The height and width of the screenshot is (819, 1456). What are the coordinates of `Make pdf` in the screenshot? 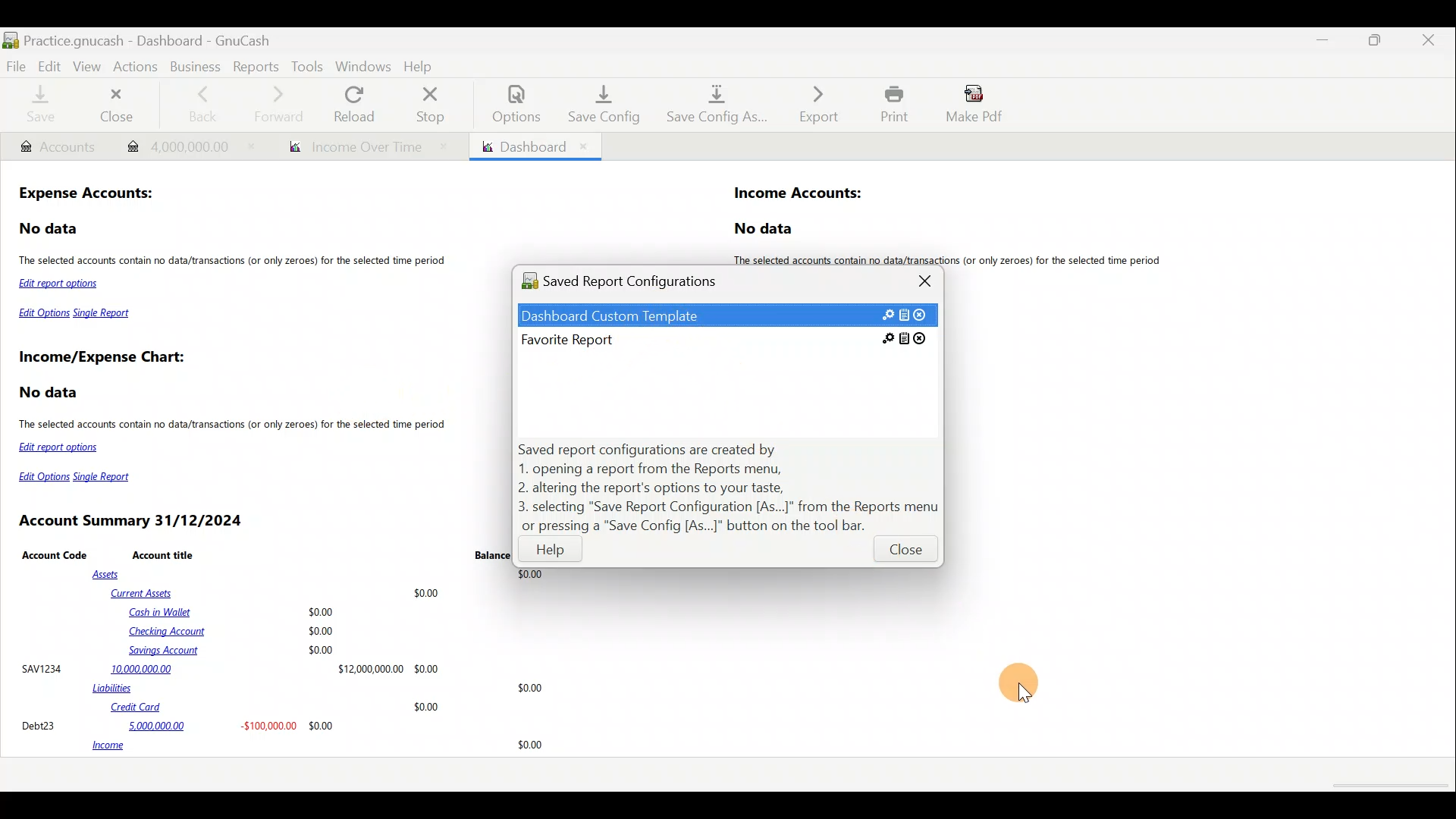 It's located at (979, 106).